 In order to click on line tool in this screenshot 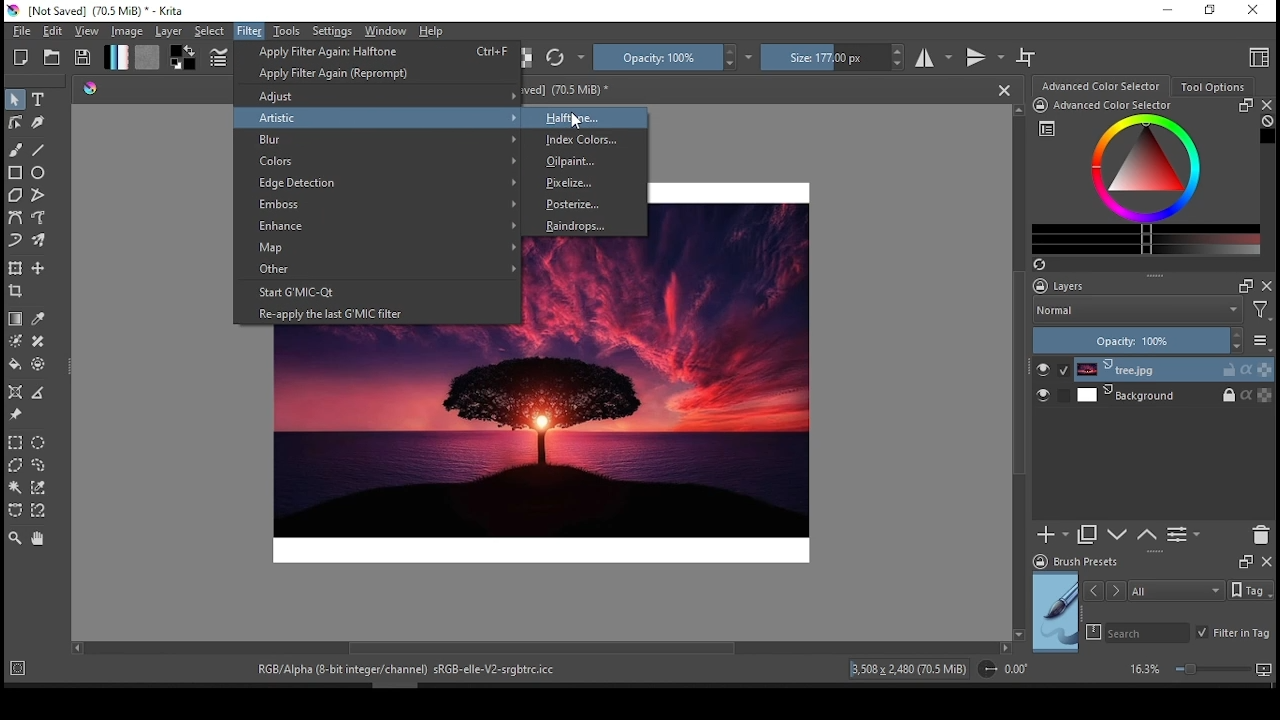, I will do `click(39, 149)`.